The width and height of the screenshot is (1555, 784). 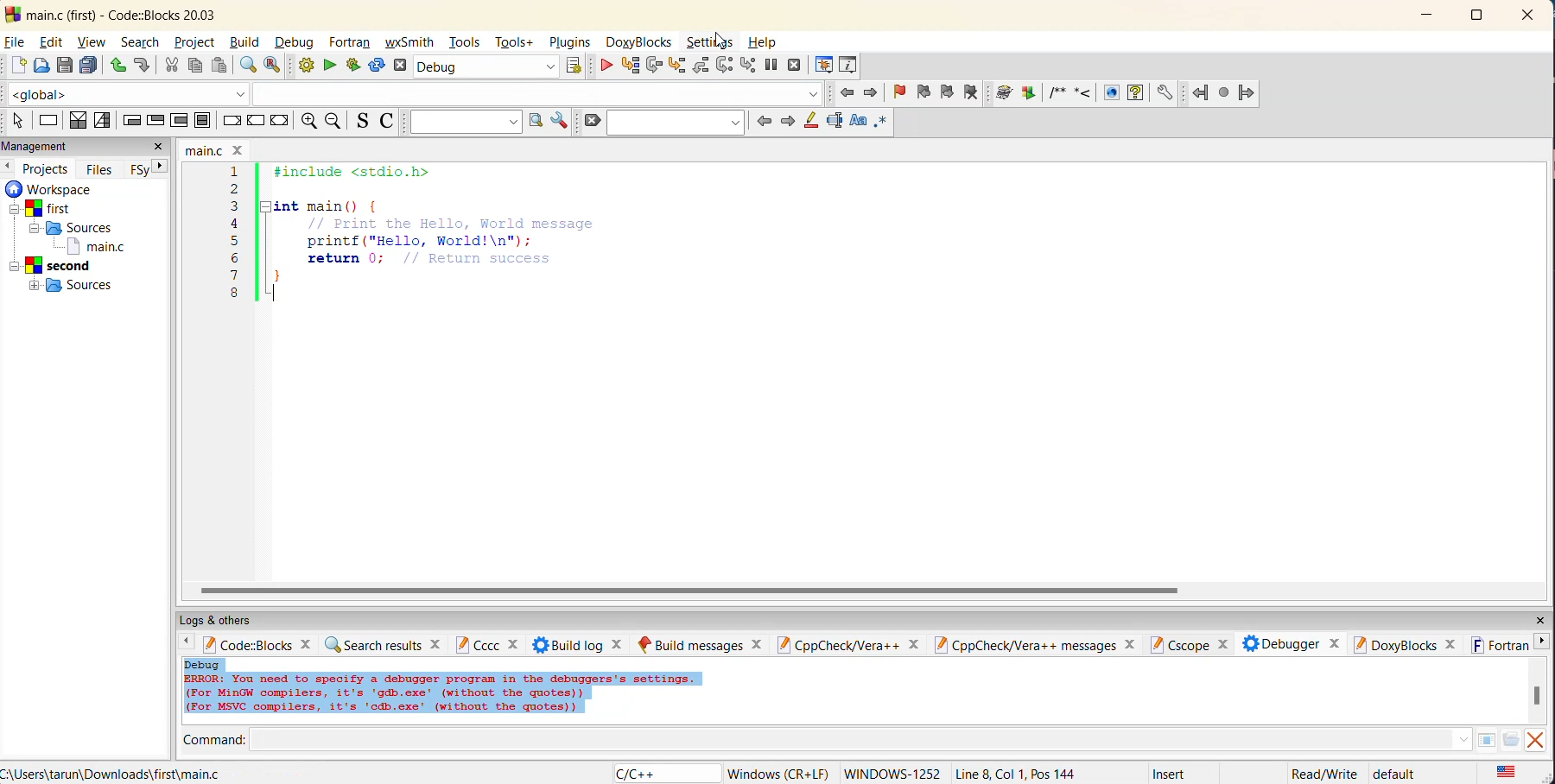 I want to click on entry condition loop, so click(x=129, y=122).